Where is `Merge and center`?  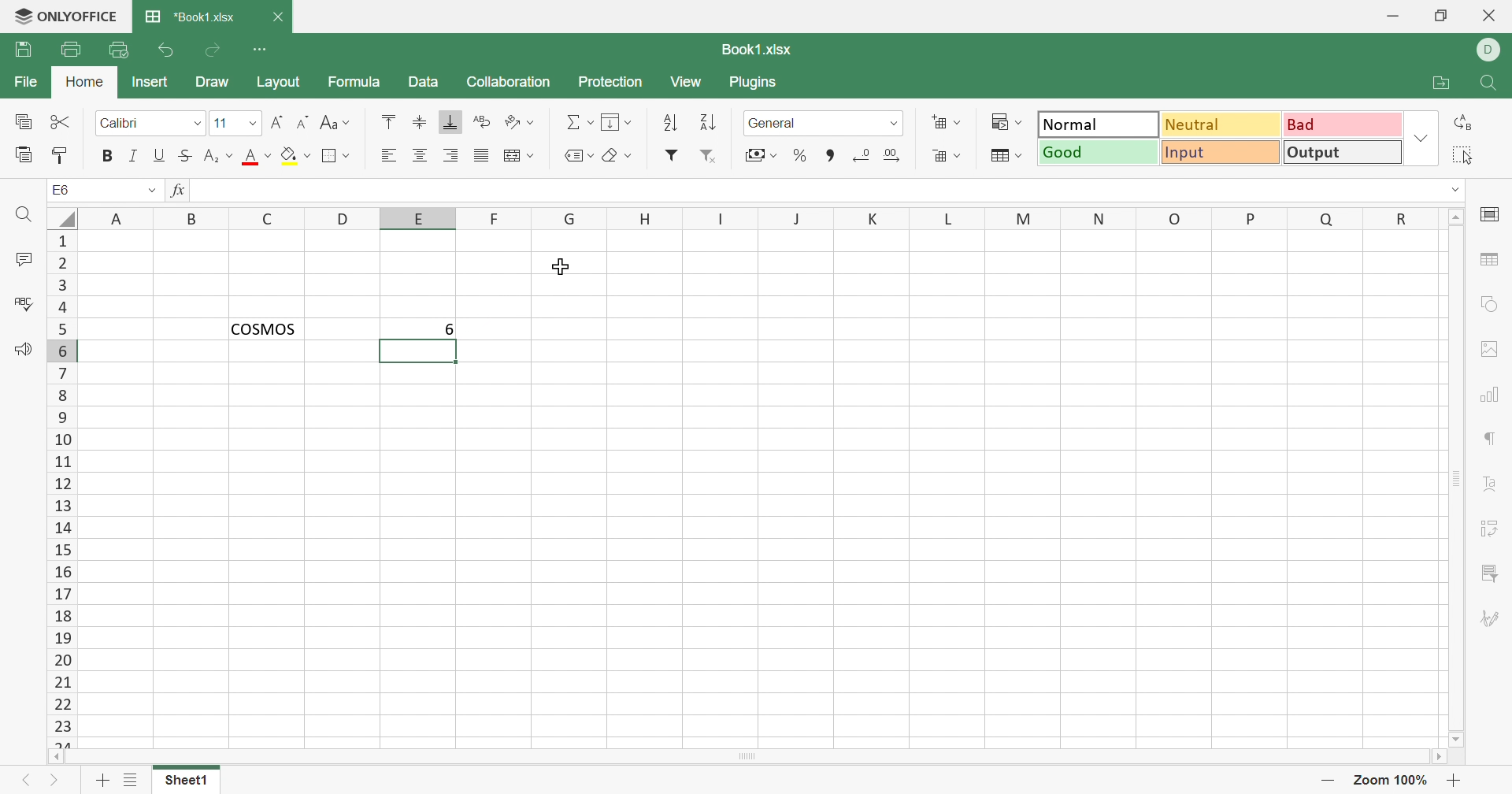 Merge and center is located at coordinates (518, 154).